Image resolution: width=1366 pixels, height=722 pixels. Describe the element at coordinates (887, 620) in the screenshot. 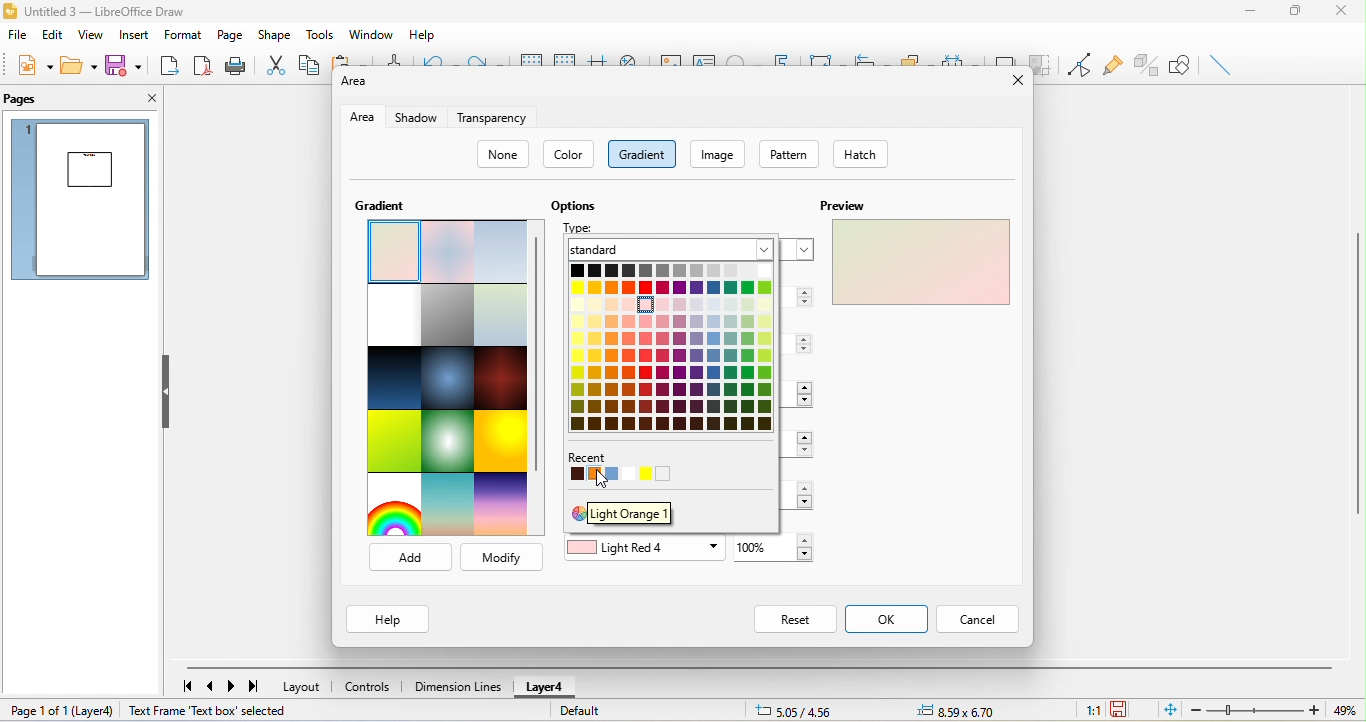

I see `ok` at that location.